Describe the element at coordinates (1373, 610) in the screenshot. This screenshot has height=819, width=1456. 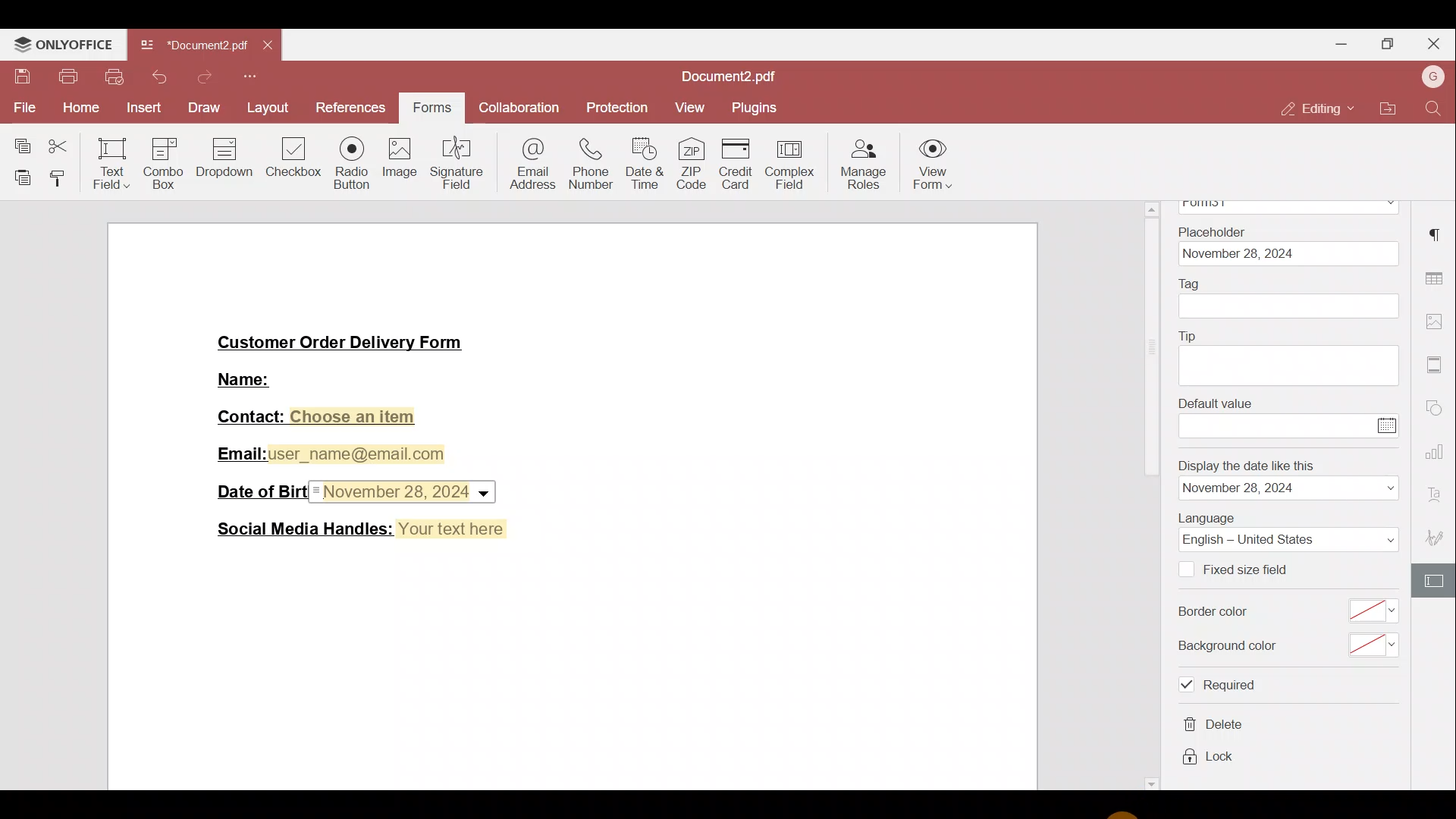
I see `select border color` at that location.